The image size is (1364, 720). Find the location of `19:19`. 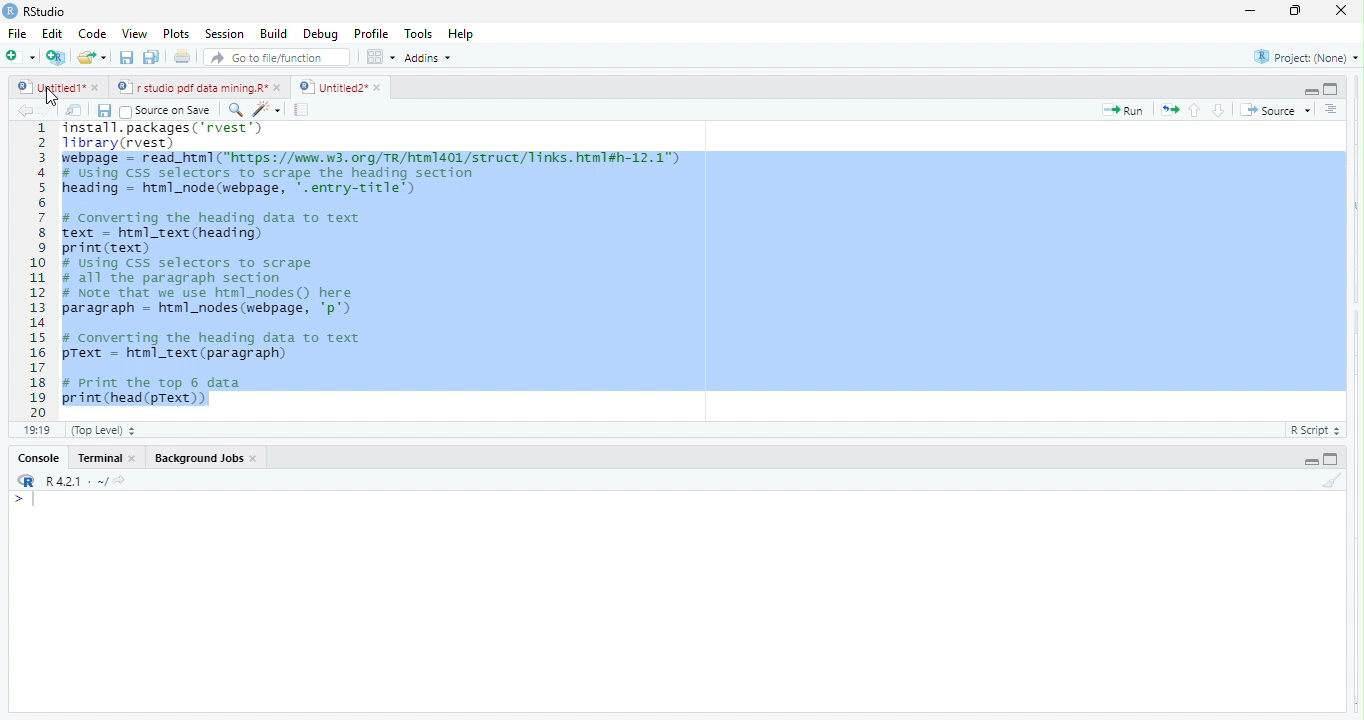

19:19 is located at coordinates (37, 429).